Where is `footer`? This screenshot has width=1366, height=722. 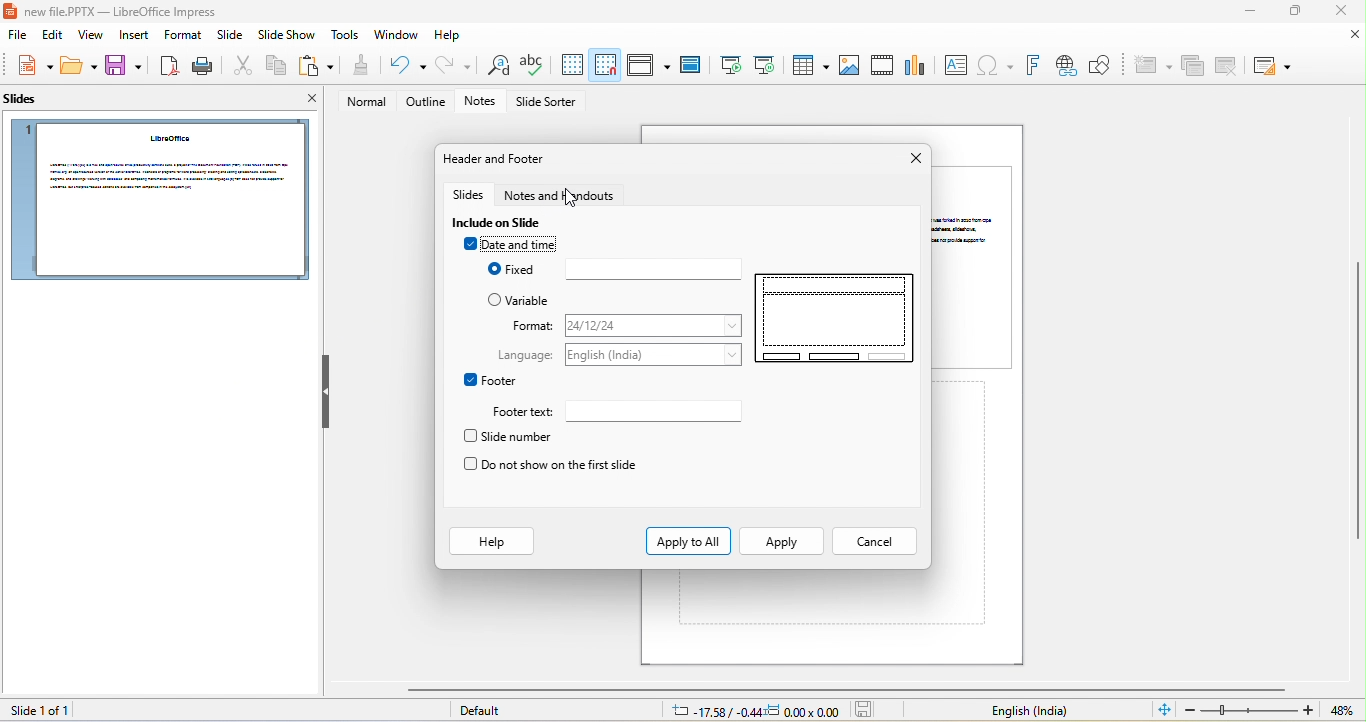
footer is located at coordinates (491, 380).